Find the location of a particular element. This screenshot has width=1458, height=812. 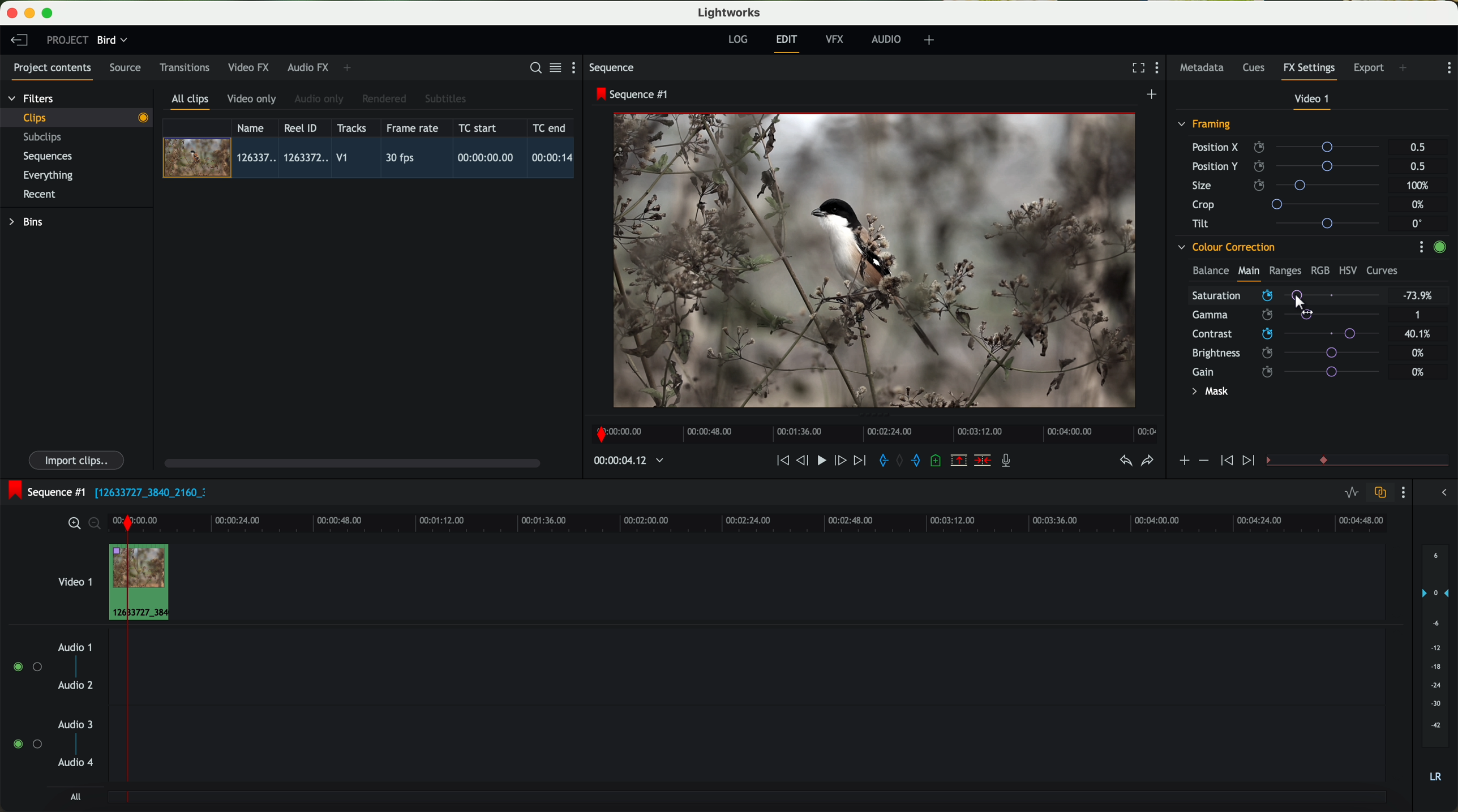

mouse up is located at coordinates (1301, 300).